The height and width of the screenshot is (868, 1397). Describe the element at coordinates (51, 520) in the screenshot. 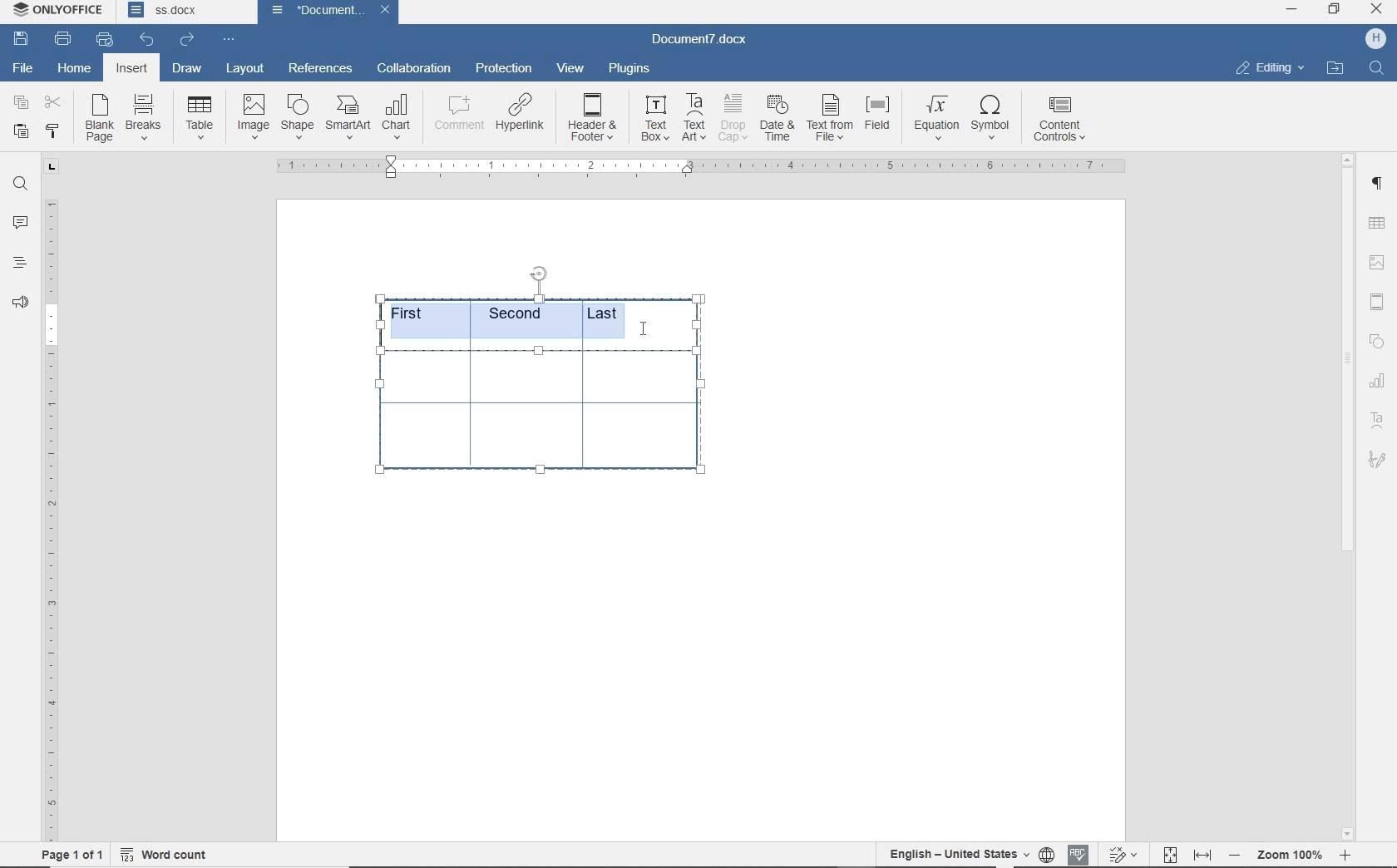

I see `ruler` at that location.